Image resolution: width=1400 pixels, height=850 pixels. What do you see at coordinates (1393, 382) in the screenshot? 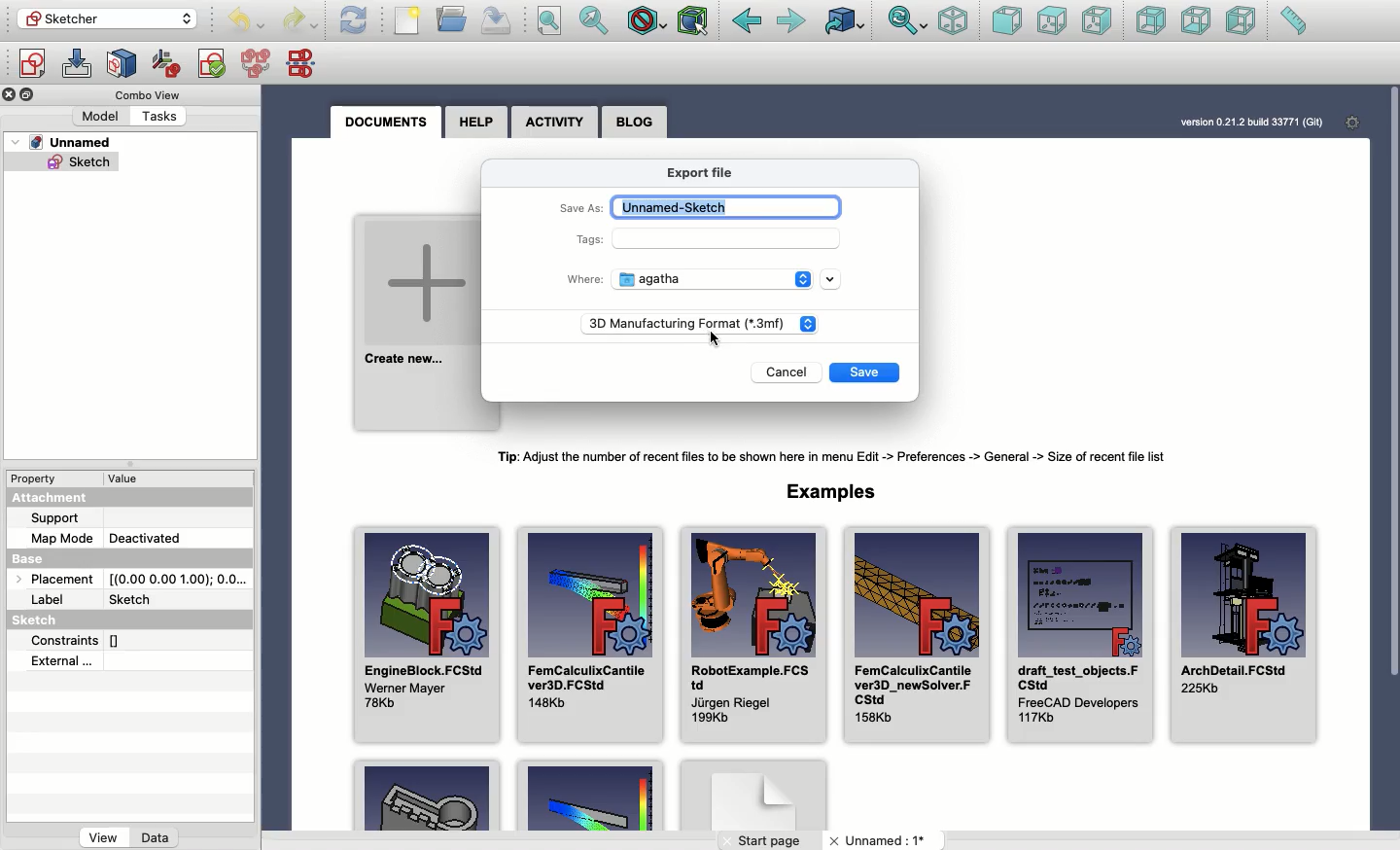
I see `Scroll` at bounding box center [1393, 382].